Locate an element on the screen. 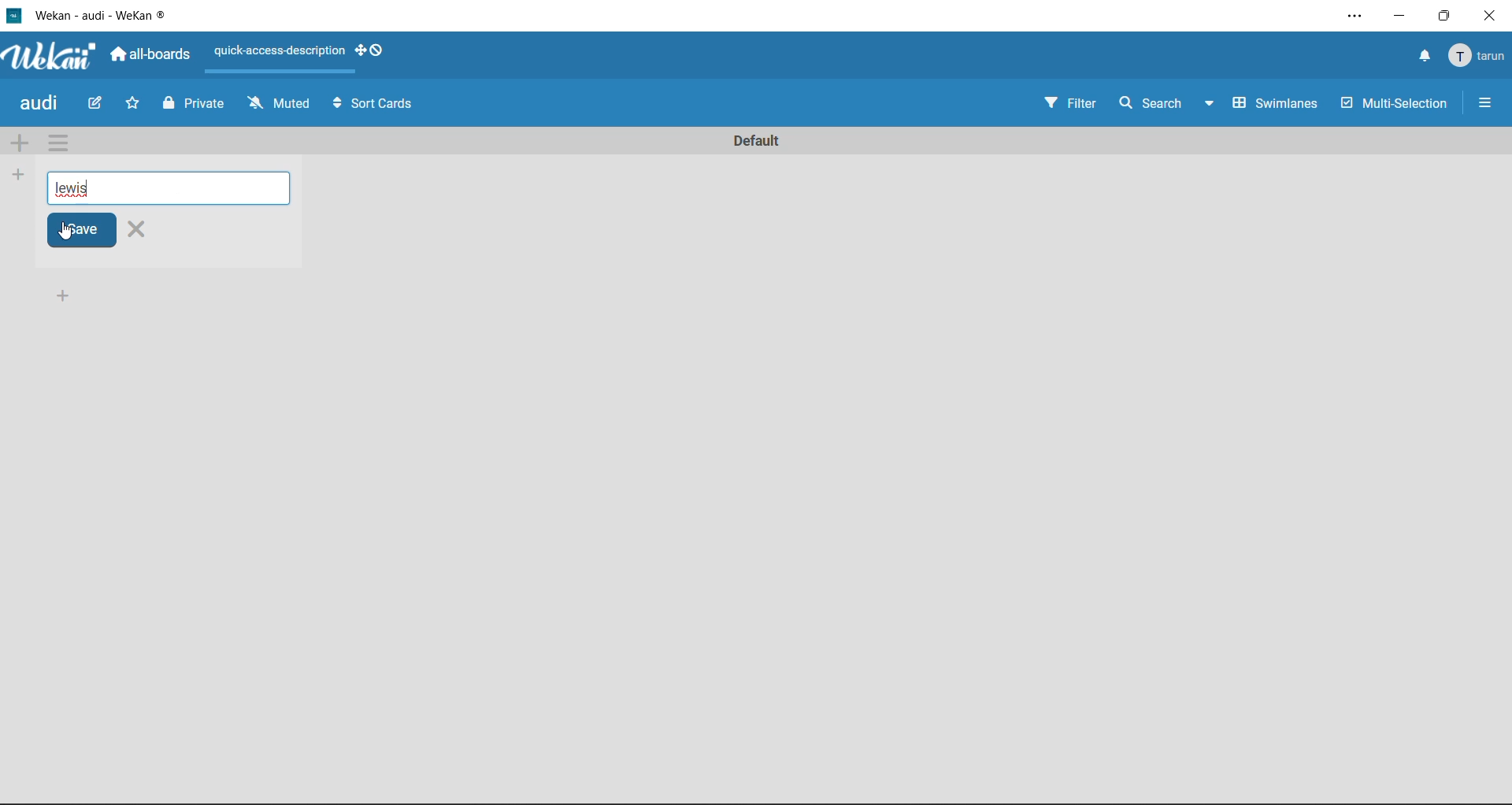 The width and height of the screenshot is (1512, 805). filter is located at coordinates (1066, 103).